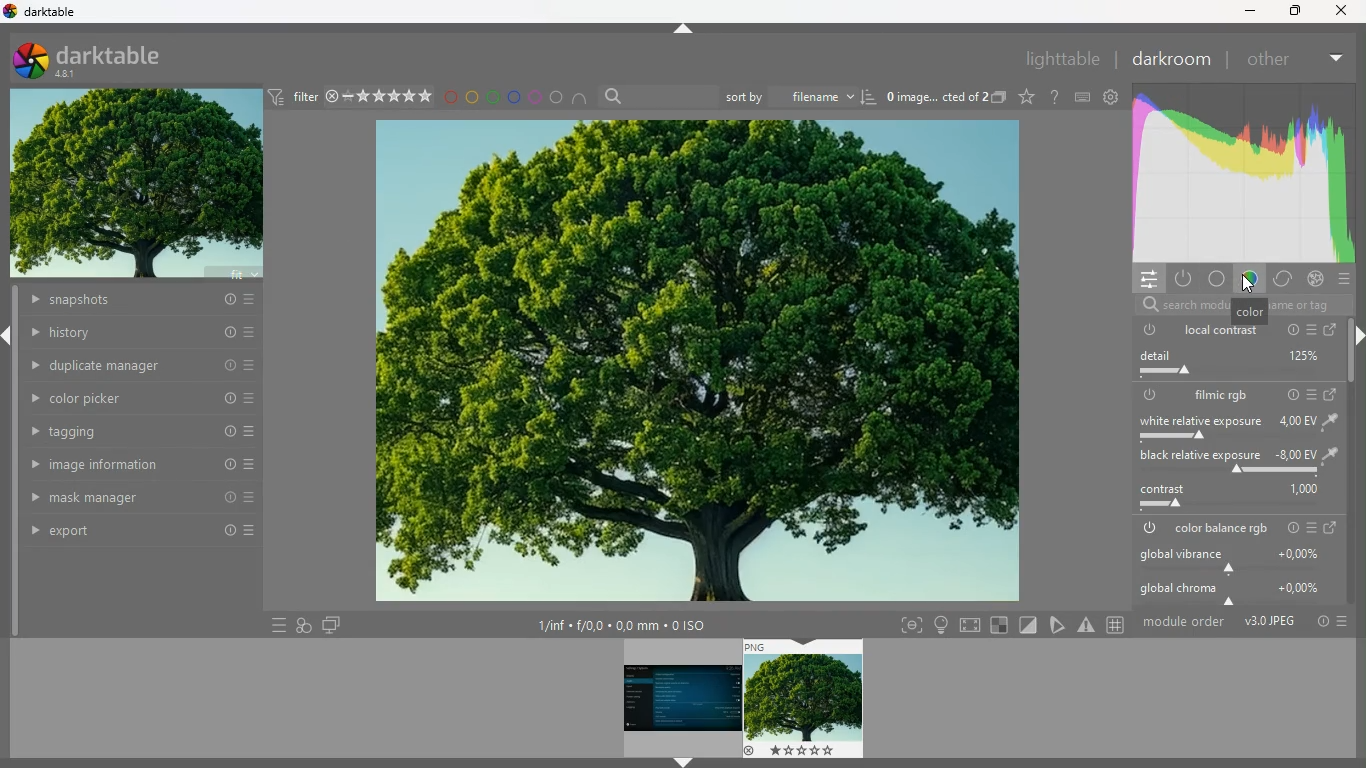 Image resolution: width=1366 pixels, height=768 pixels. What do you see at coordinates (1056, 97) in the screenshot?
I see `doubt` at bounding box center [1056, 97].